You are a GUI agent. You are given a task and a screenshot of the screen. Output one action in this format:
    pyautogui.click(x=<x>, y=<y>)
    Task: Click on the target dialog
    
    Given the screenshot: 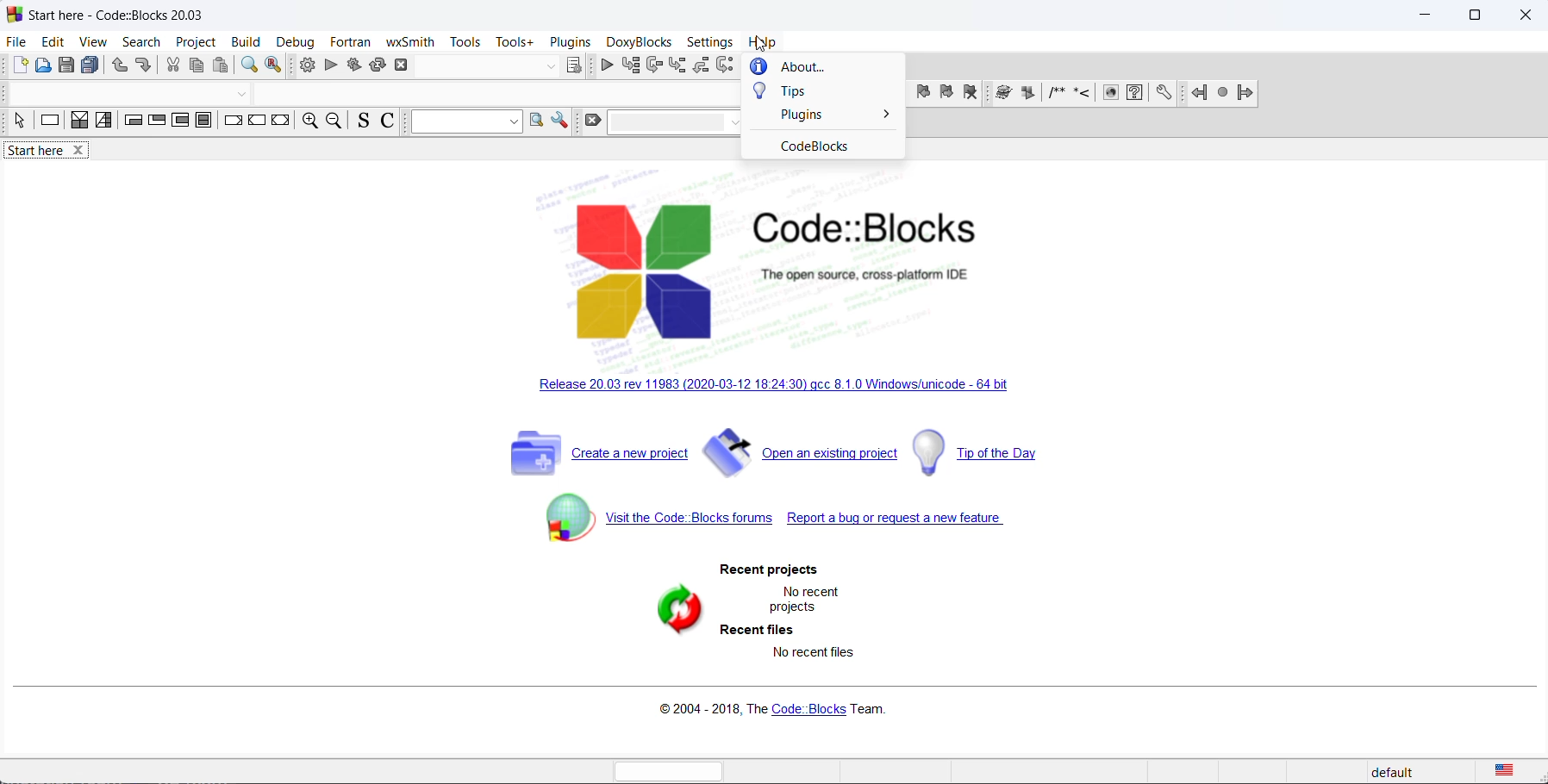 What is the action you would take?
    pyautogui.click(x=572, y=65)
    